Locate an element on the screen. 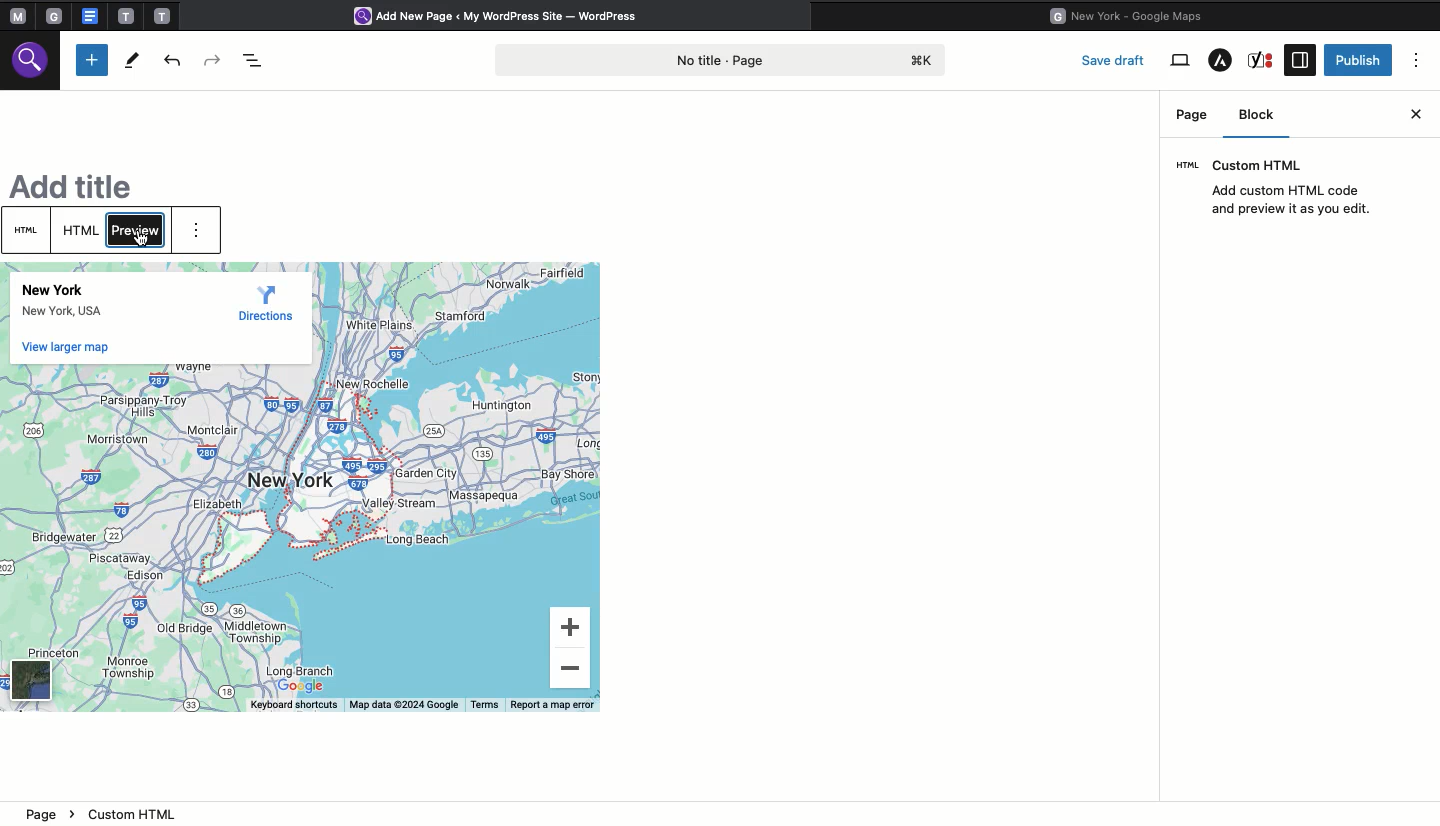 This screenshot has width=1440, height=826. Redo is located at coordinates (214, 57).